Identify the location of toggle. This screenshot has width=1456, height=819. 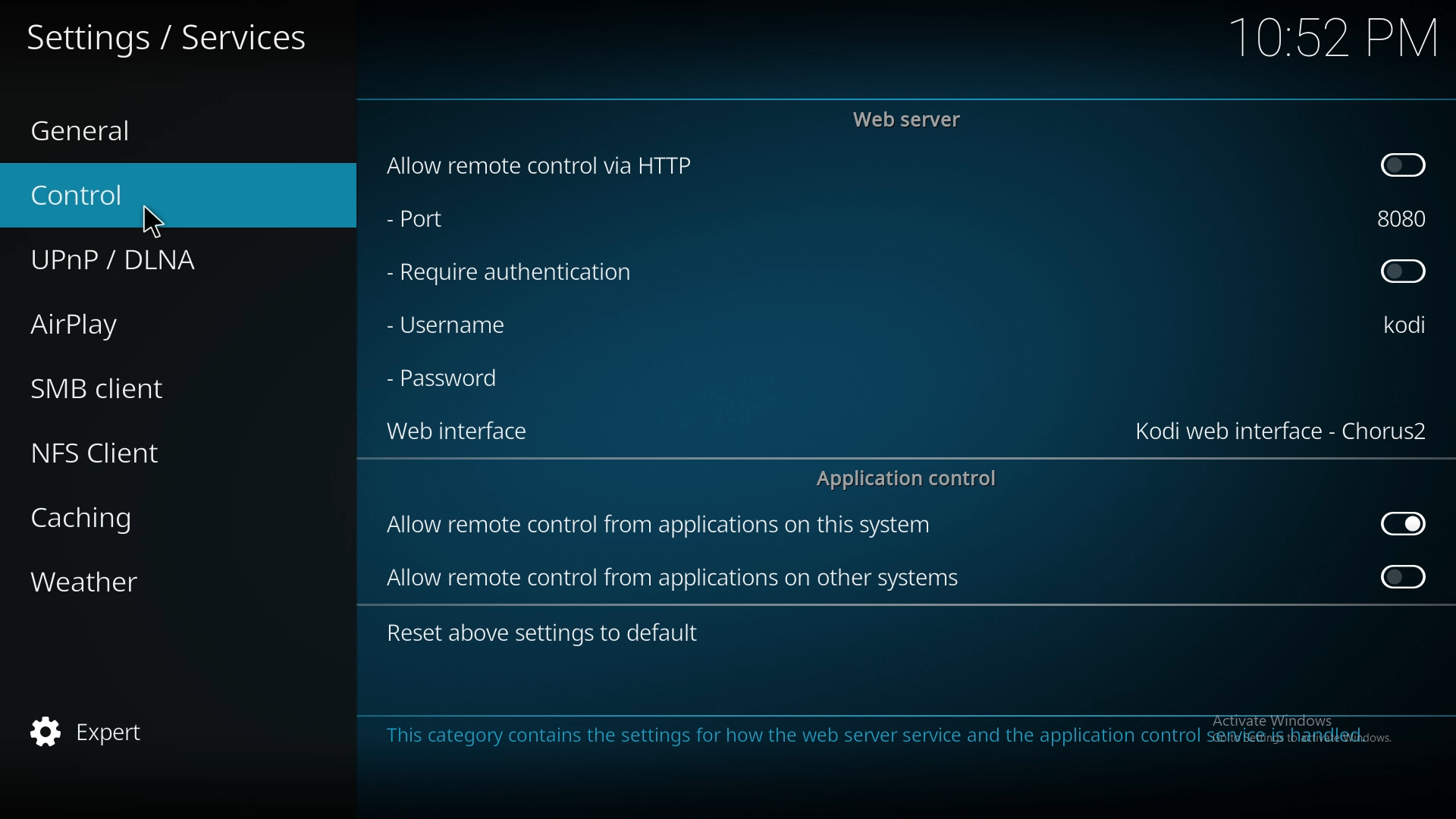
(1404, 524).